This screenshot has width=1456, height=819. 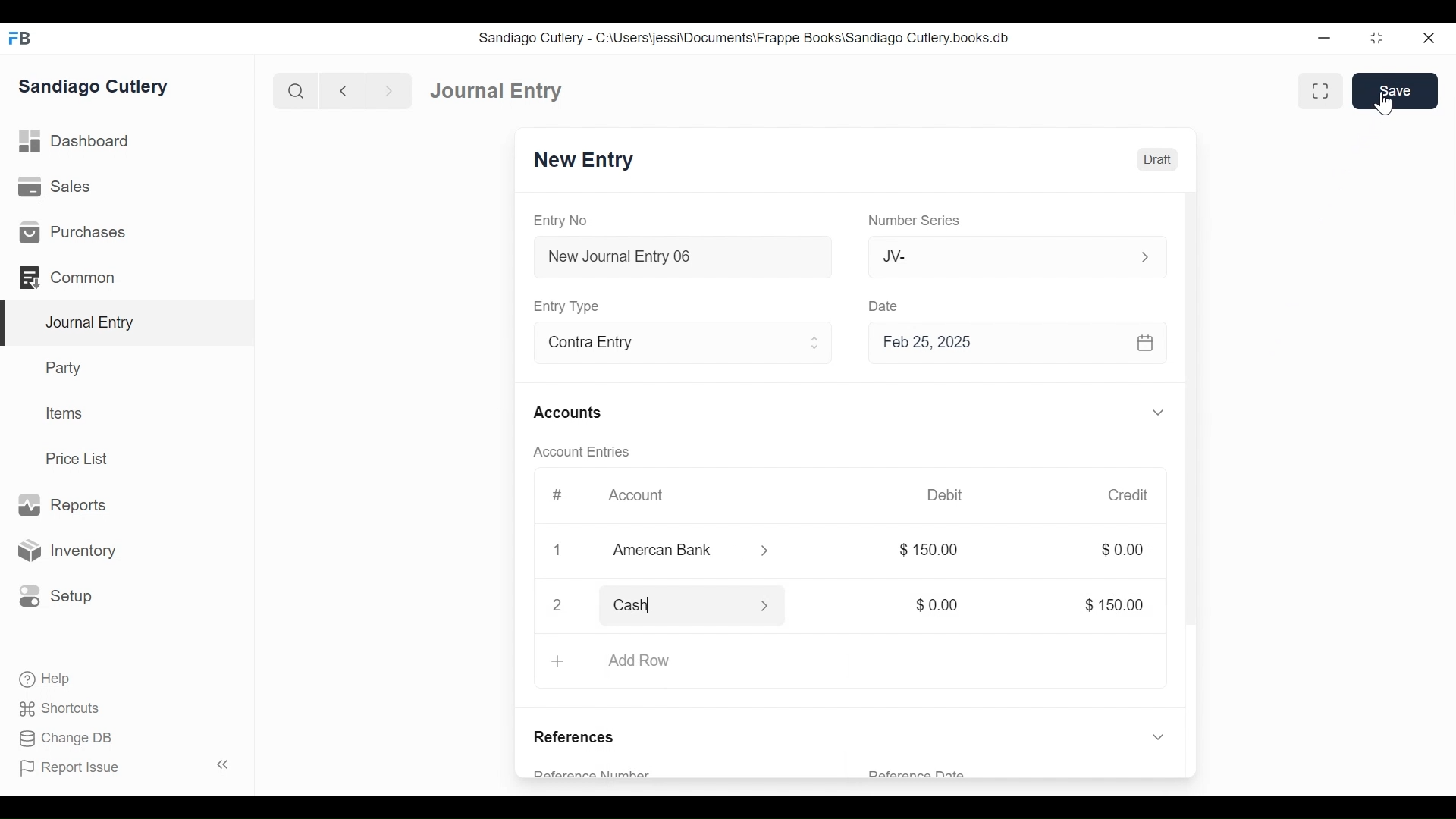 I want to click on Save, so click(x=1395, y=90).